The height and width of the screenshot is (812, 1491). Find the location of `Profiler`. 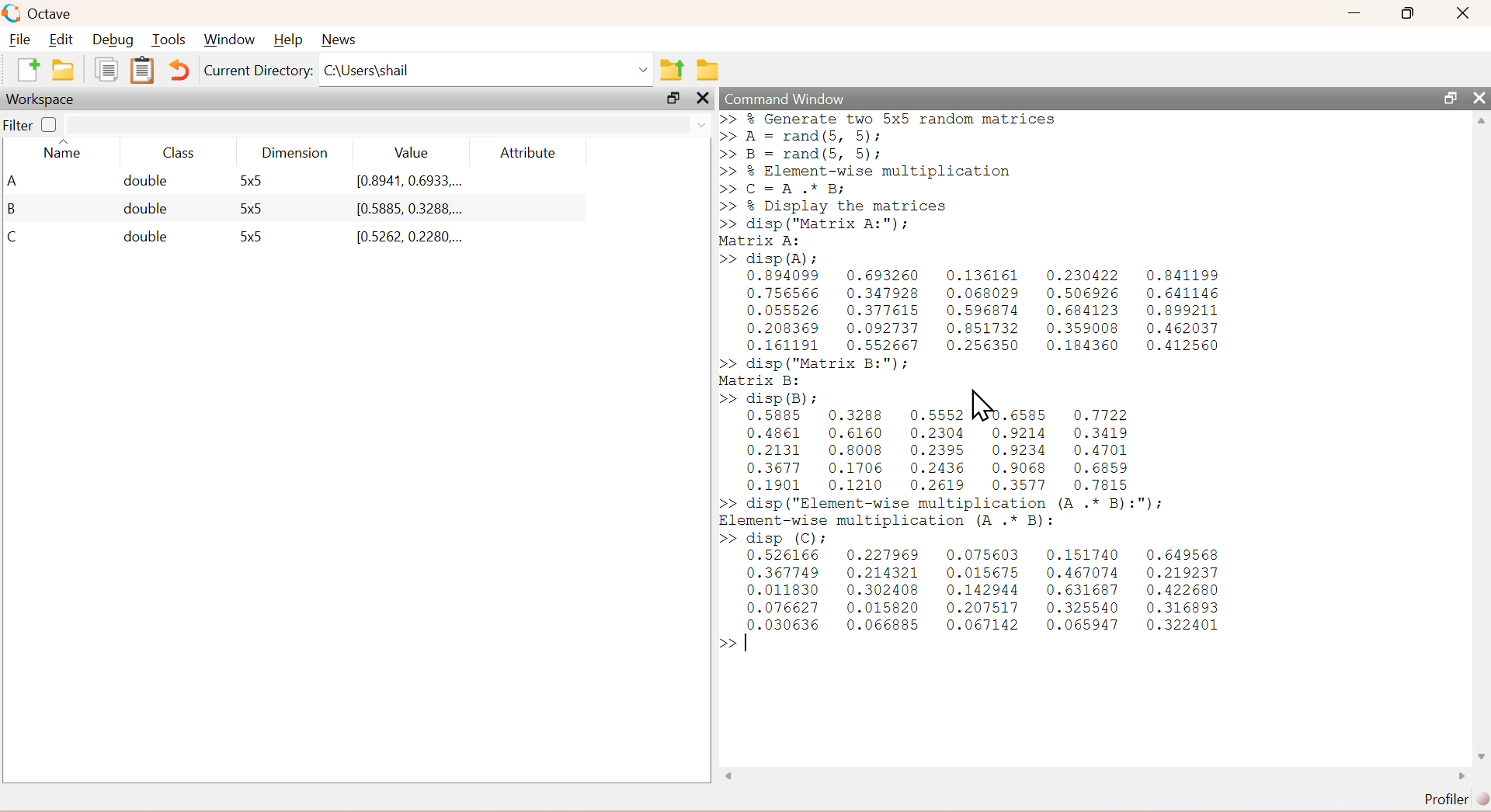

Profiler is located at coordinates (1448, 796).